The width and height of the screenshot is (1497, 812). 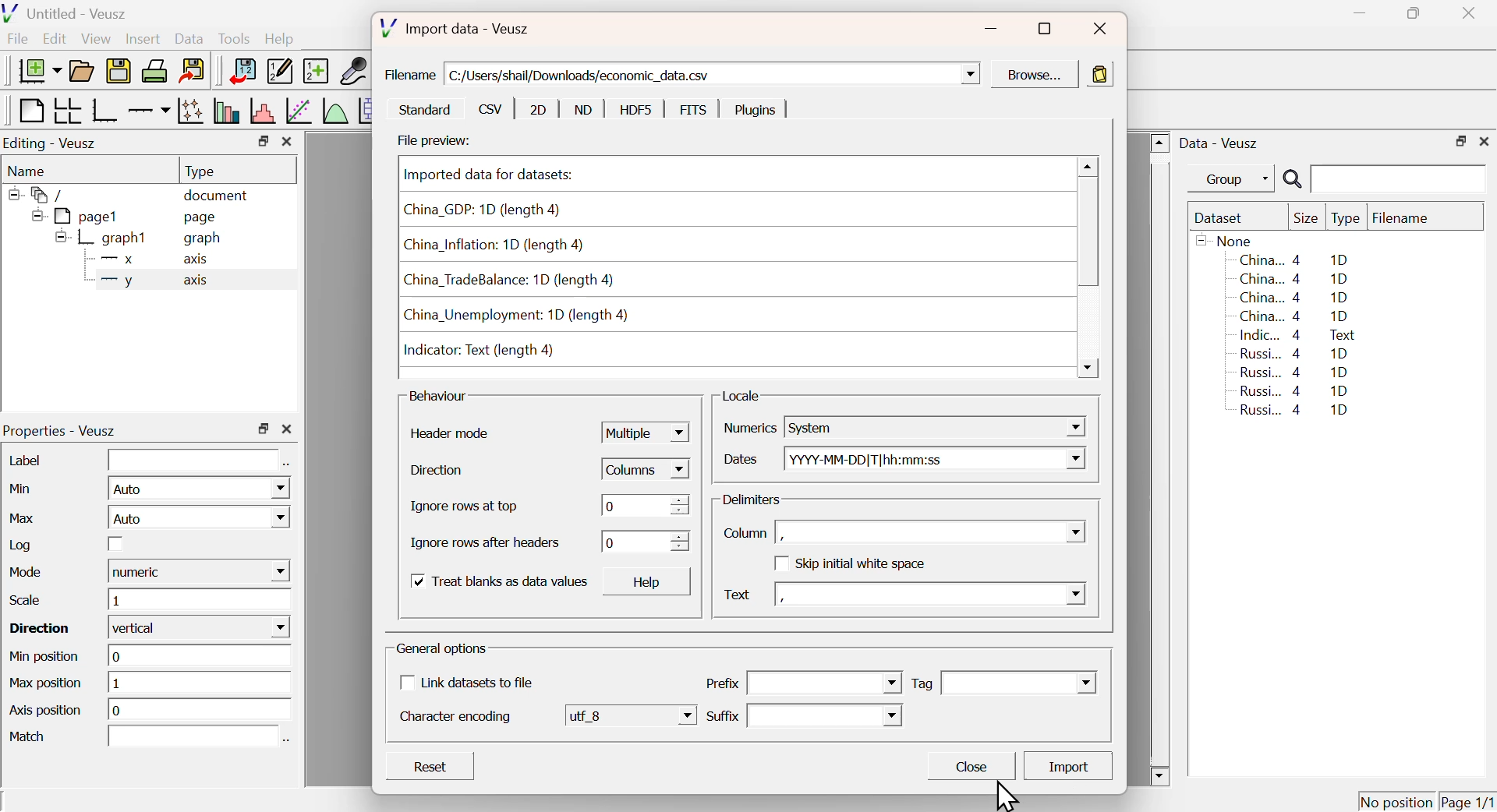 I want to click on Match, so click(x=30, y=738).